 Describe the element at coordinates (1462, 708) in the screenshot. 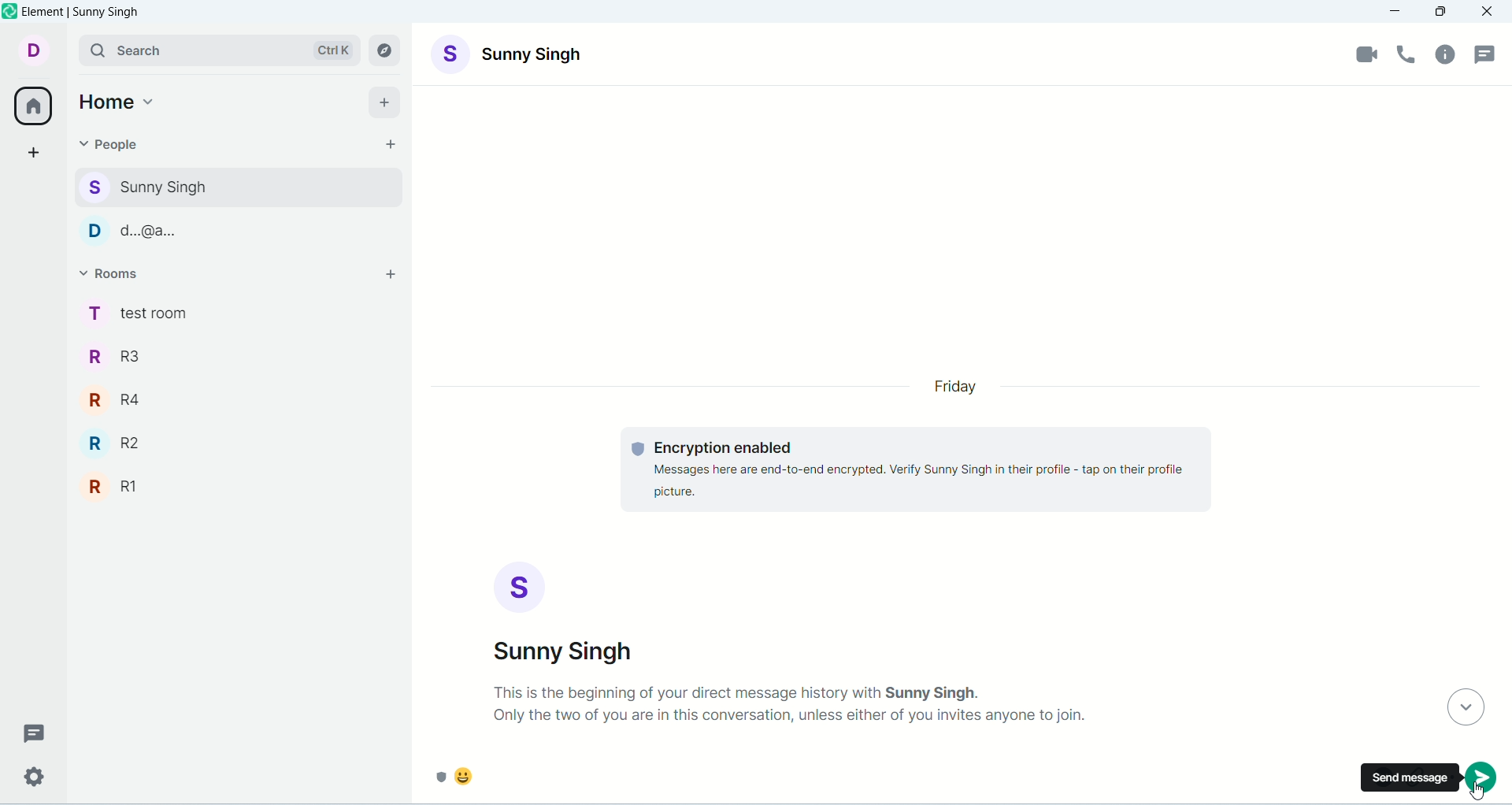

I see `dropdown` at that location.